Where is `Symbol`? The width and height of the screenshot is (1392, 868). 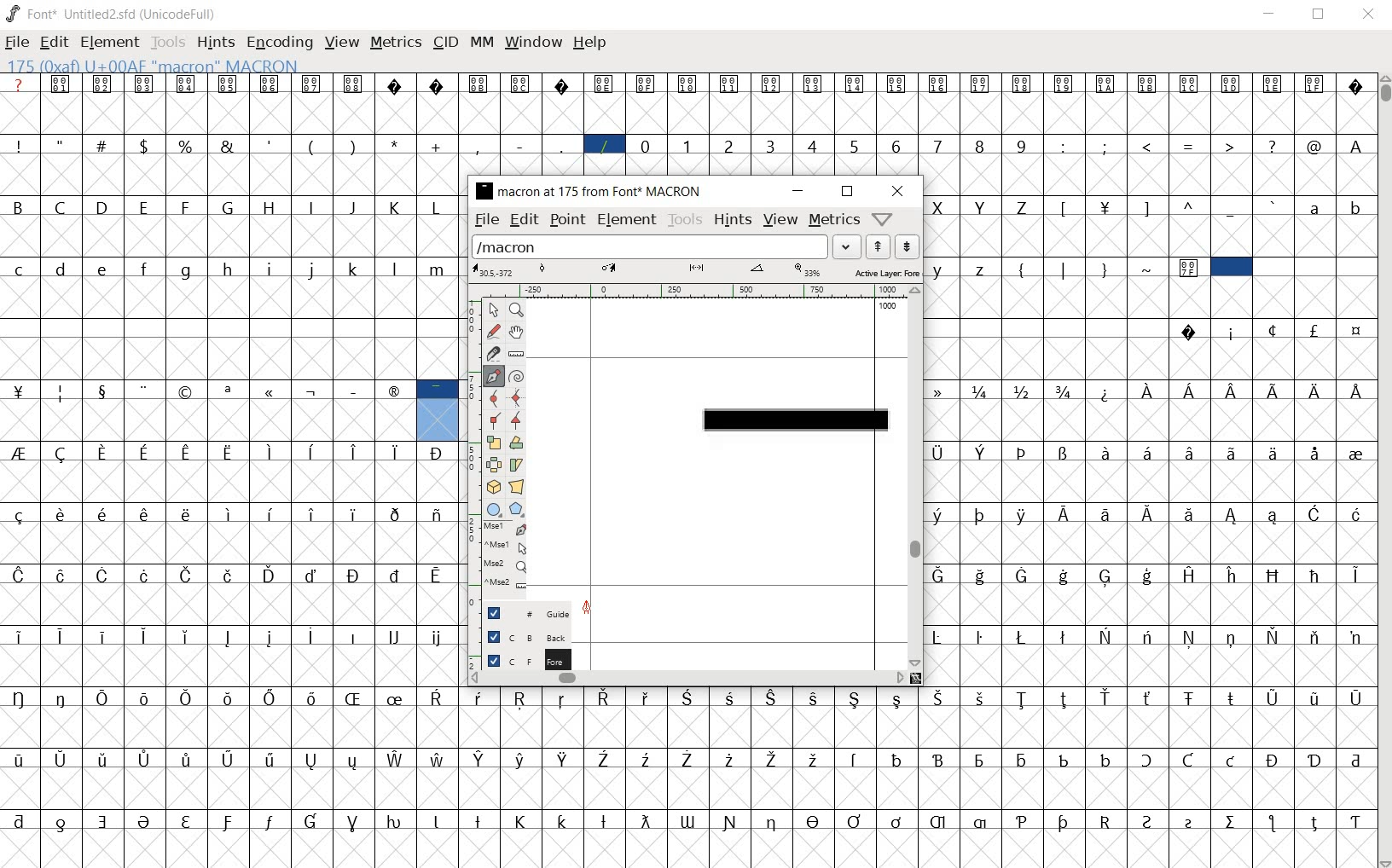 Symbol is located at coordinates (397, 759).